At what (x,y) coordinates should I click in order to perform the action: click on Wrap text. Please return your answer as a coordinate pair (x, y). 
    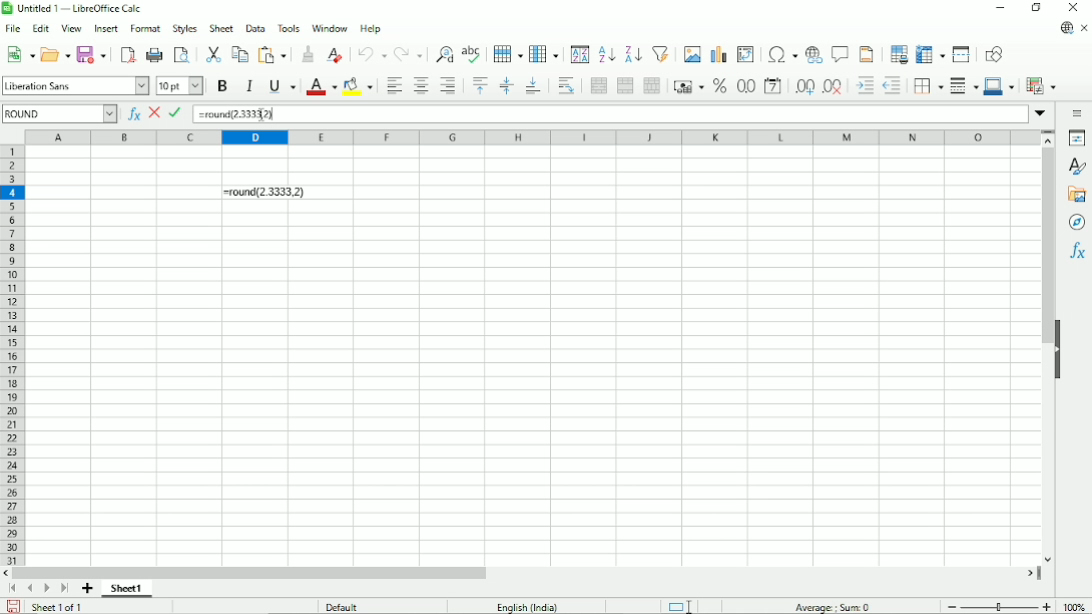
    Looking at the image, I should click on (567, 86).